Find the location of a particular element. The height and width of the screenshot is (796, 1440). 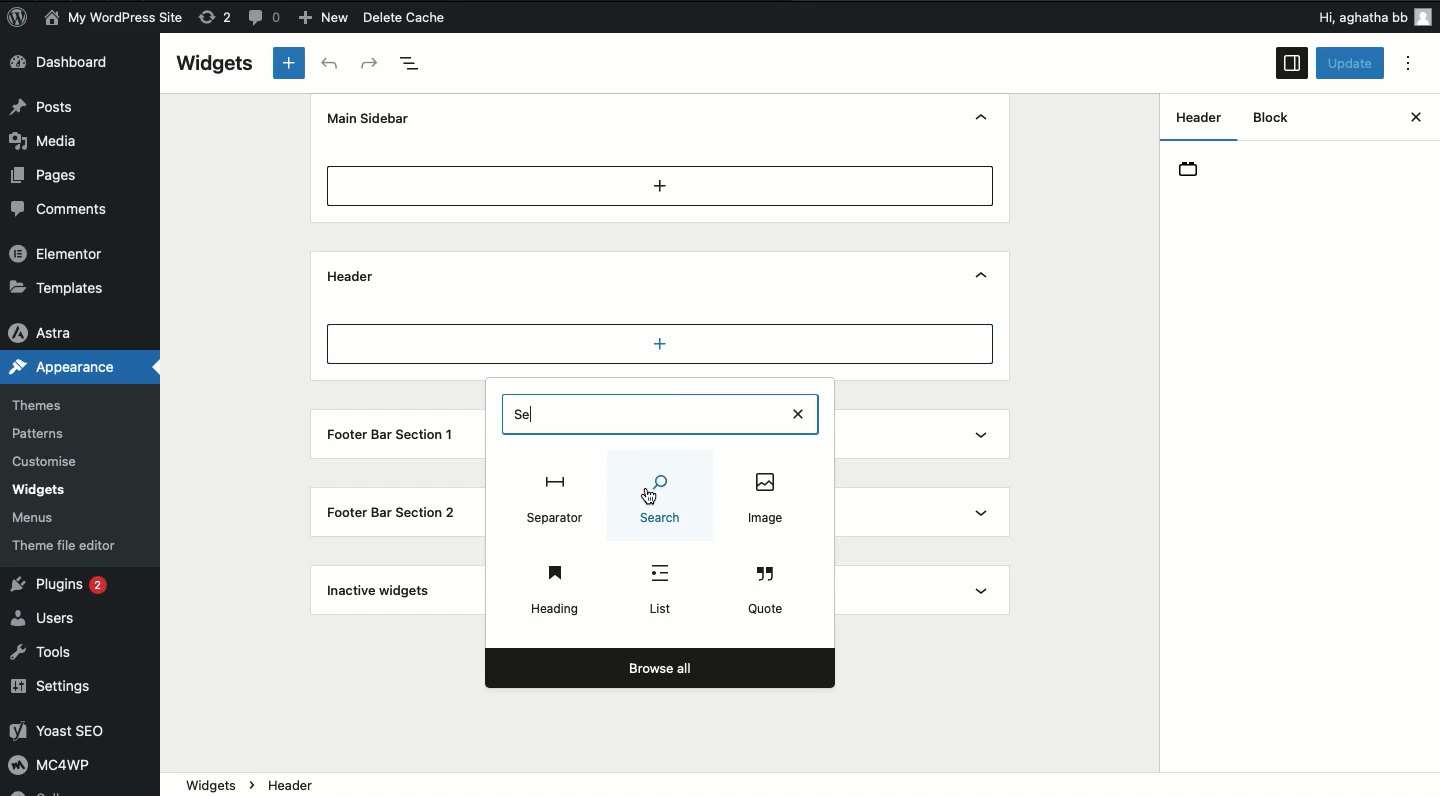

Add new block is located at coordinates (288, 64).